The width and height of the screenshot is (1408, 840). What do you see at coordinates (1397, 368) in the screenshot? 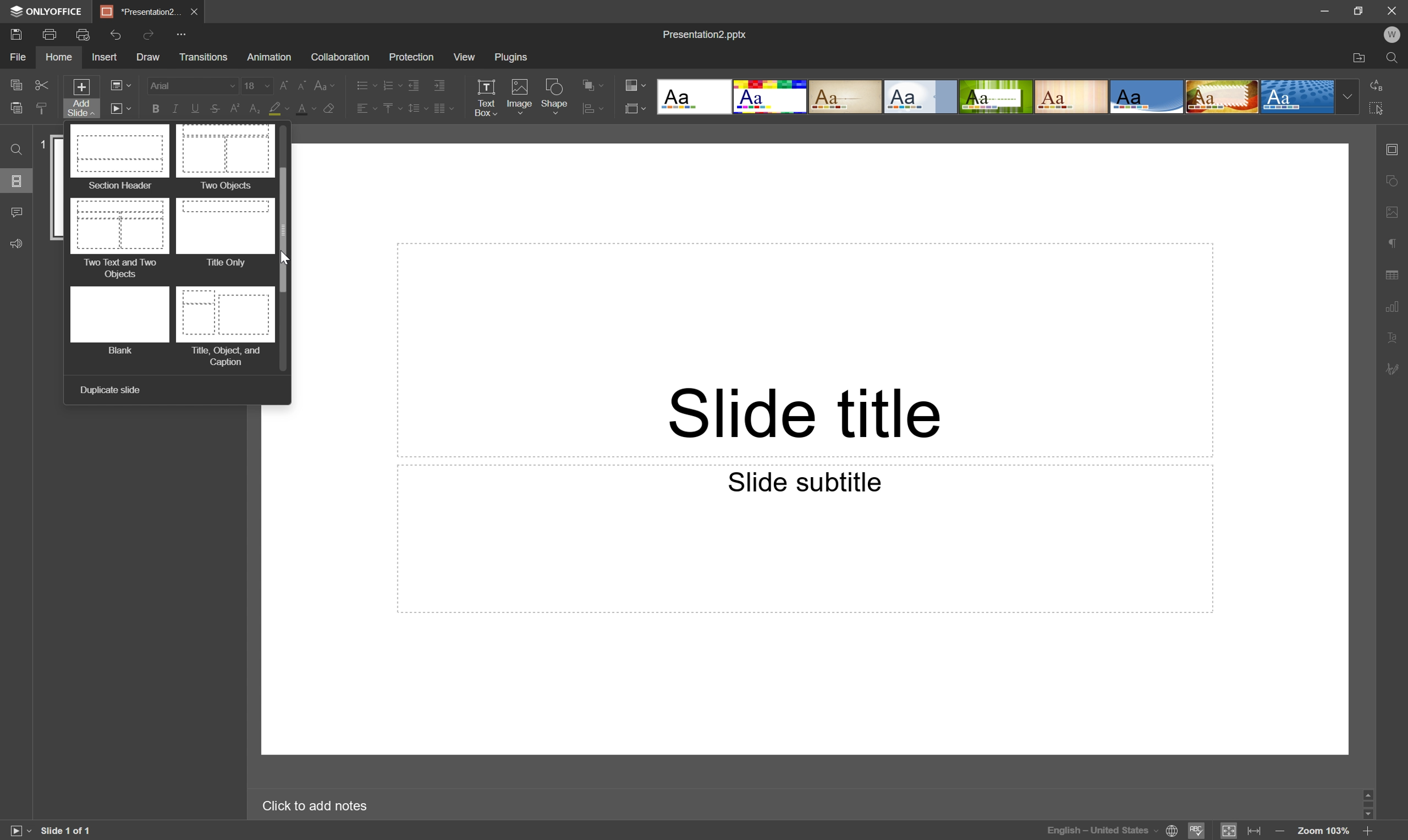
I see `Signature settings` at bounding box center [1397, 368].